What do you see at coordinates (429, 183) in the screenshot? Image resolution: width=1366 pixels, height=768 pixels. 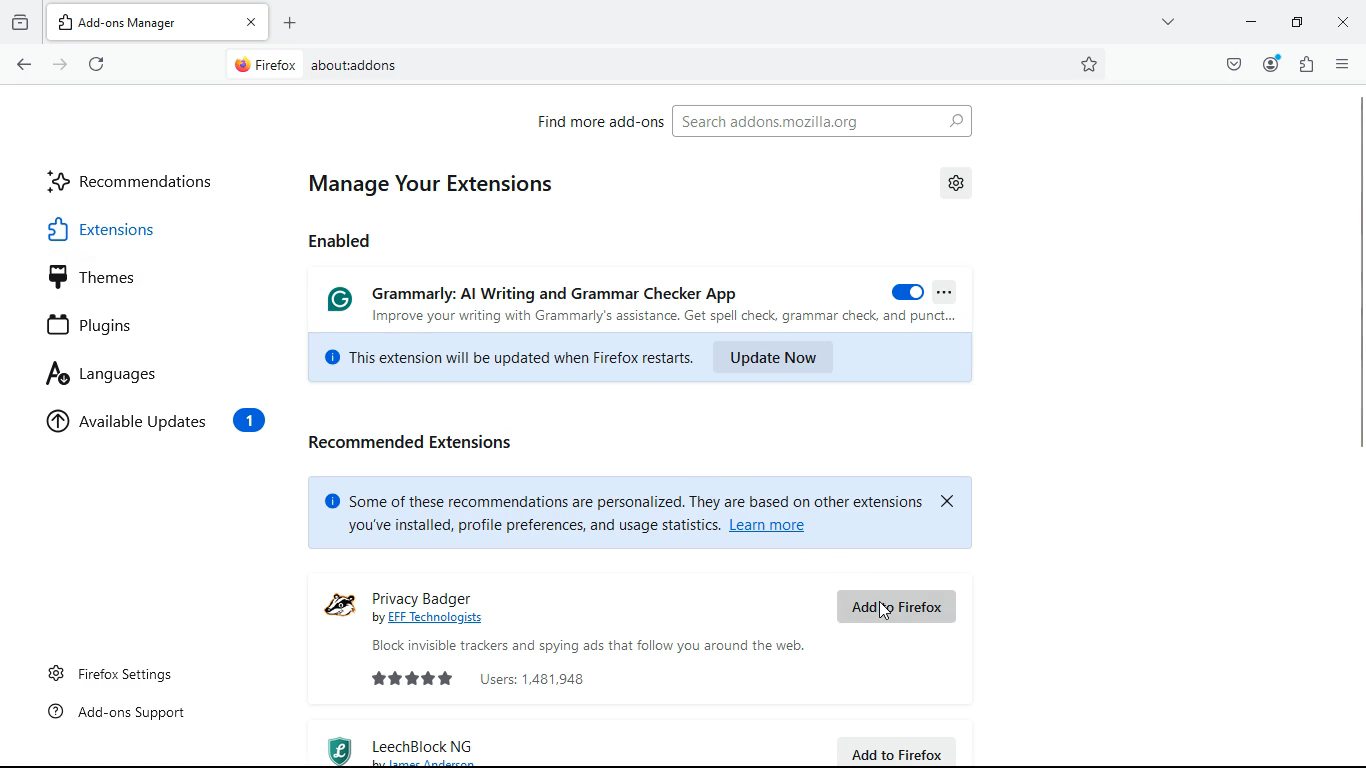 I see `manage your extensions` at bounding box center [429, 183].